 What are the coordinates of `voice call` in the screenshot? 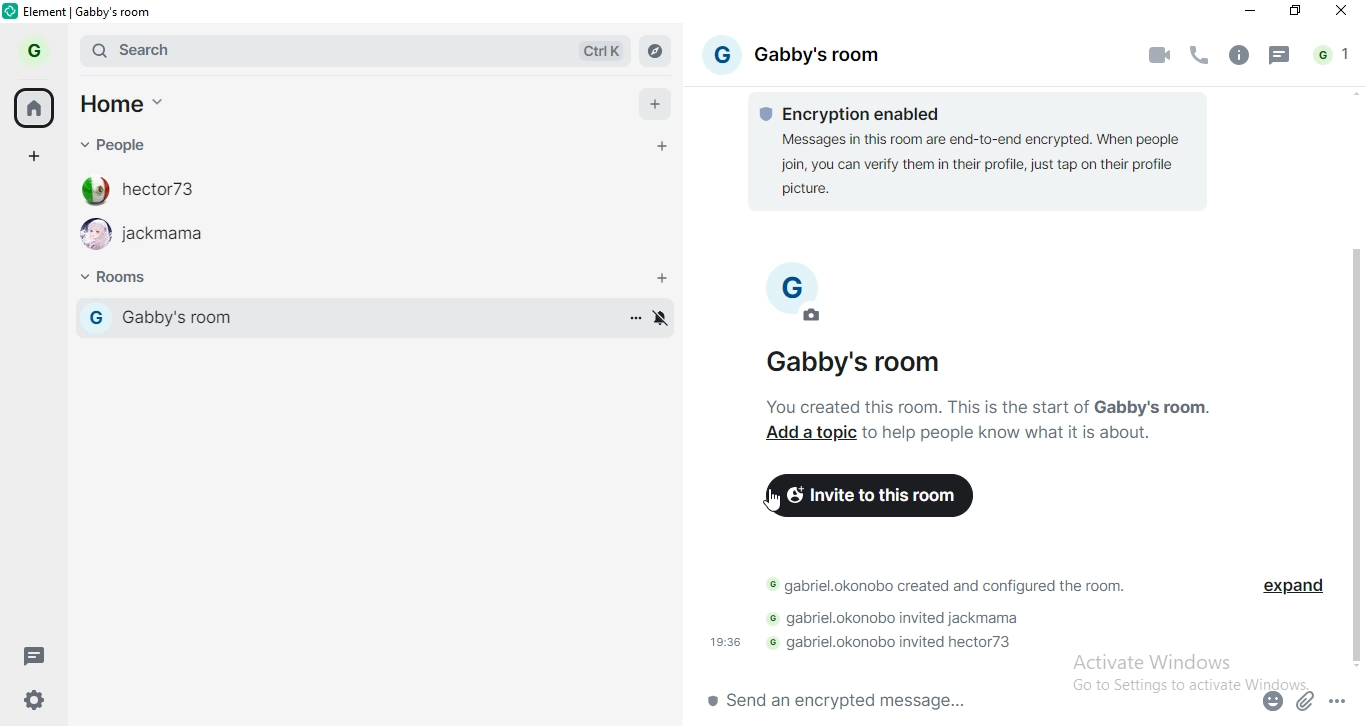 It's located at (1200, 56).